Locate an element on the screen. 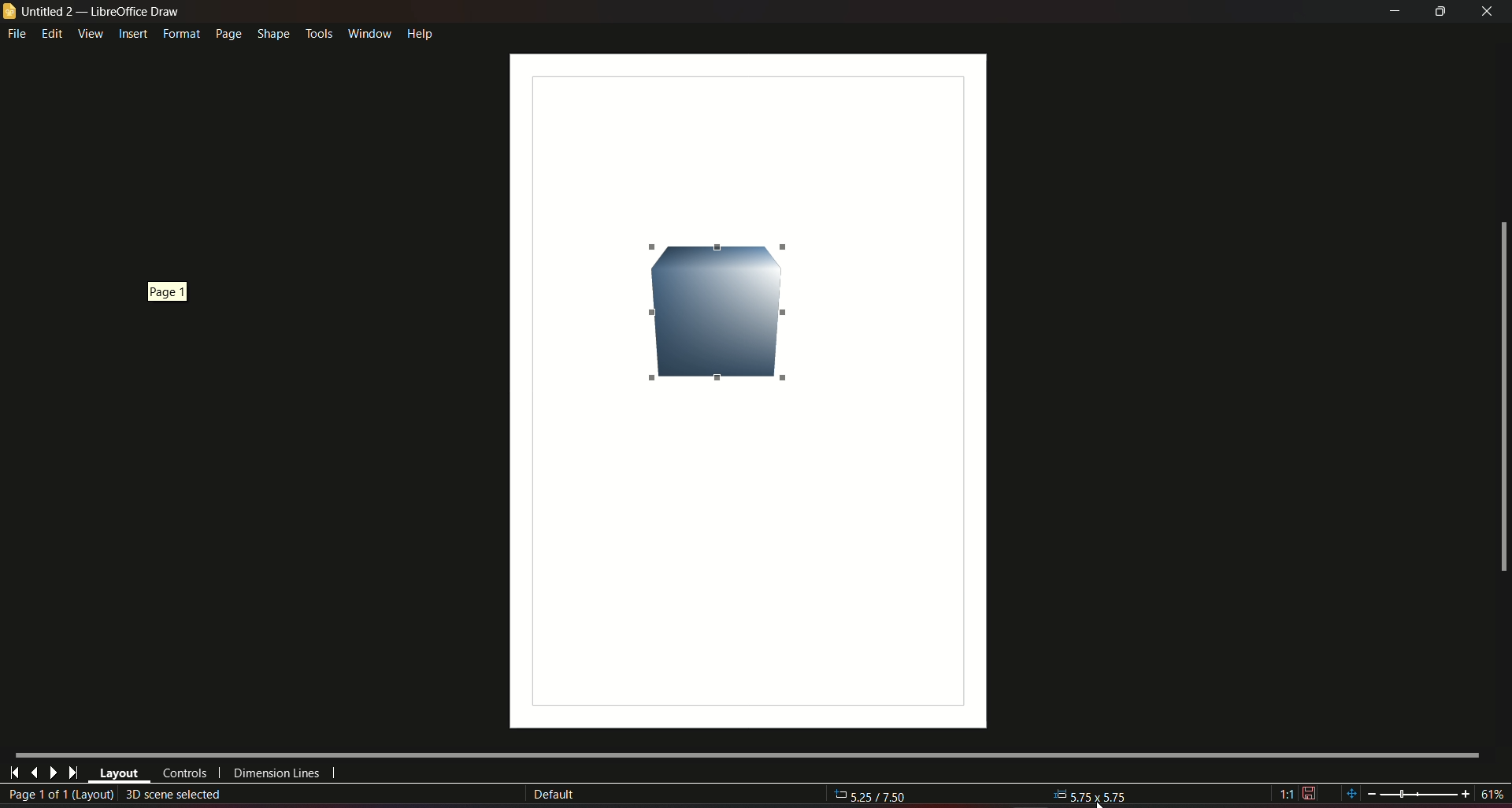 The height and width of the screenshot is (808, 1512). view is located at coordinates (90, 33).